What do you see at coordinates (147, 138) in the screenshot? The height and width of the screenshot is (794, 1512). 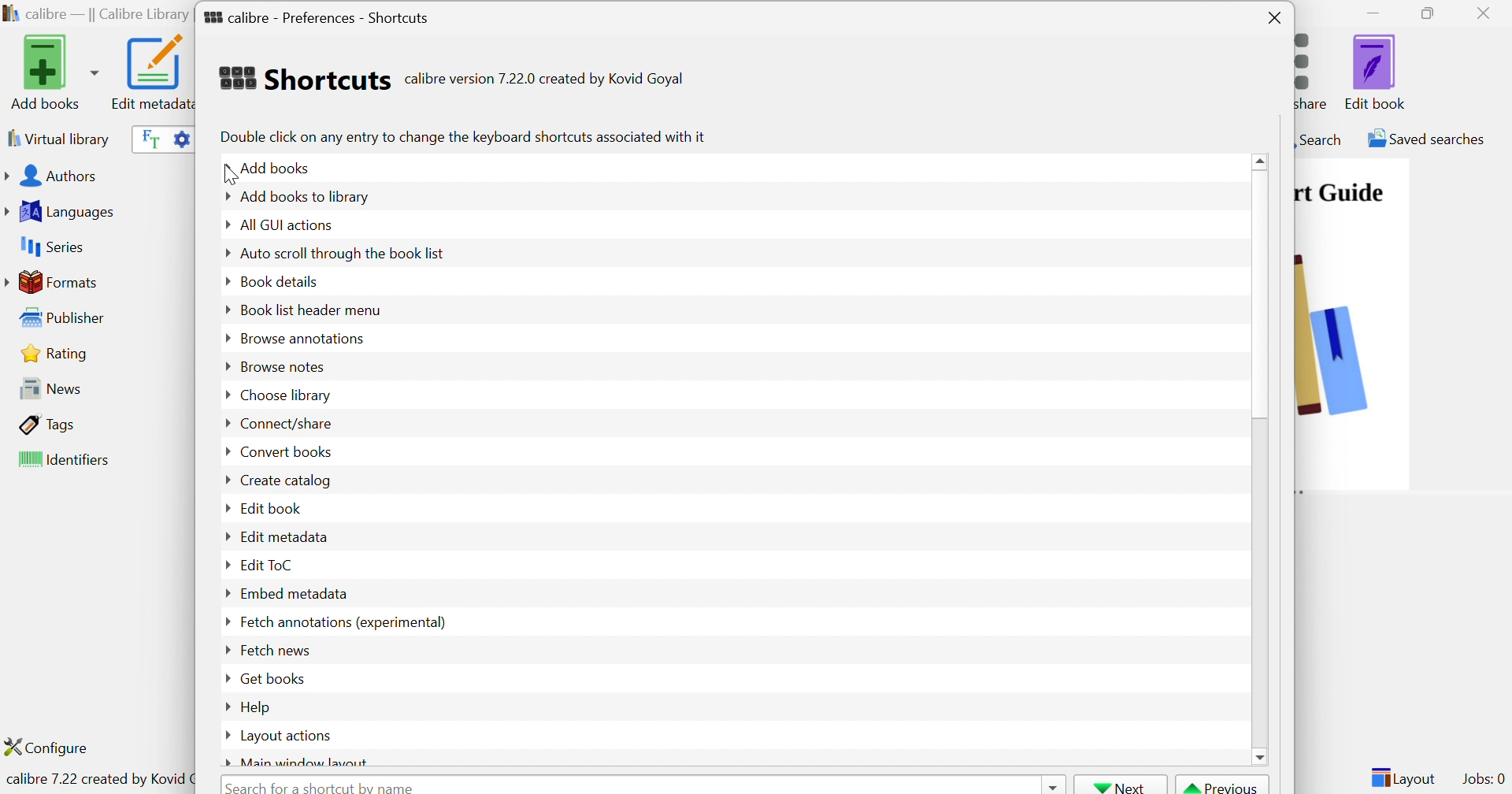 I see `Search the full text of all books in the library, not just their metadata` at bounding box center [147, 138].